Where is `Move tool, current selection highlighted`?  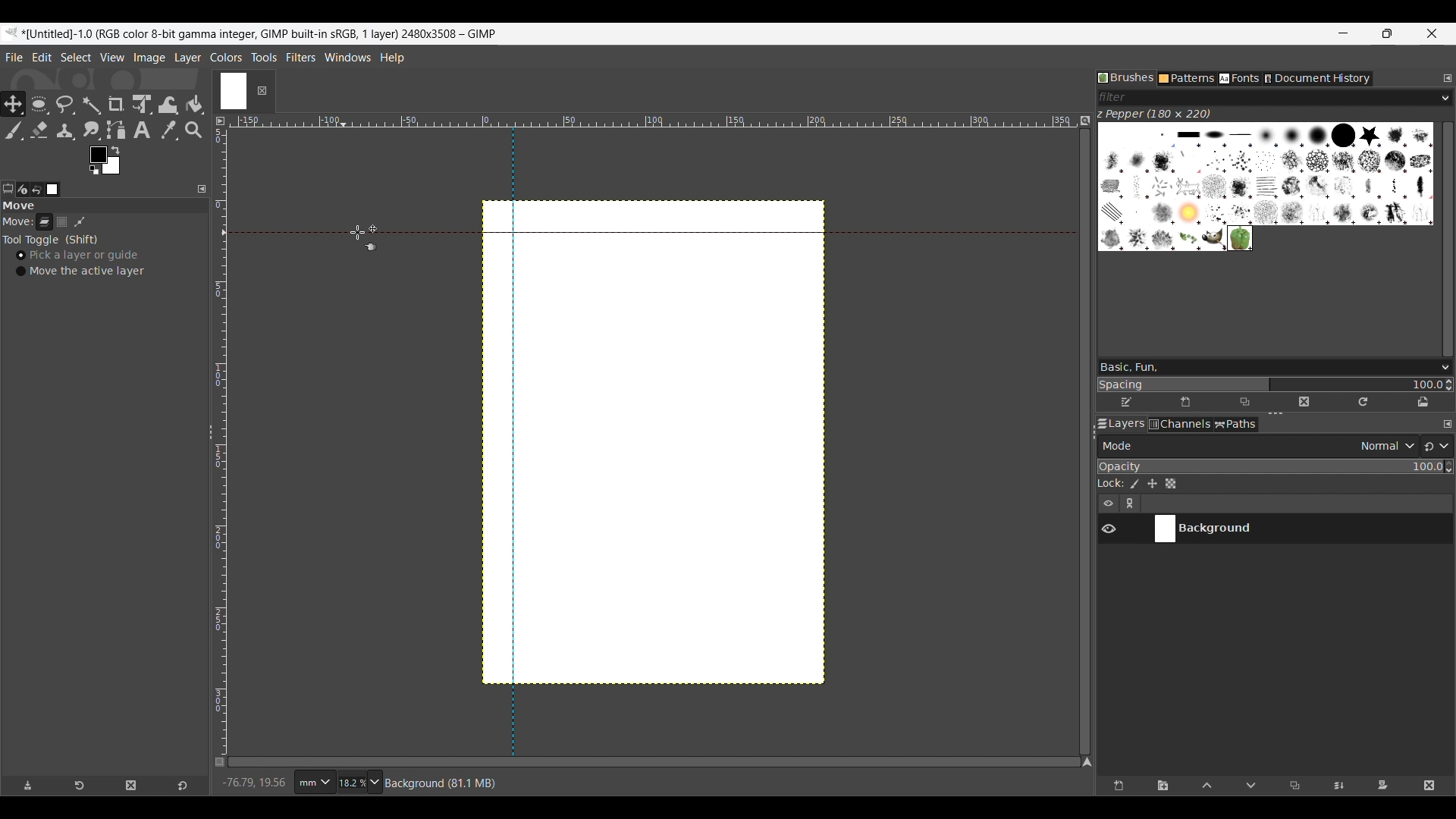
Move tool, current selection highlighted is located at coordinates (11, 102).